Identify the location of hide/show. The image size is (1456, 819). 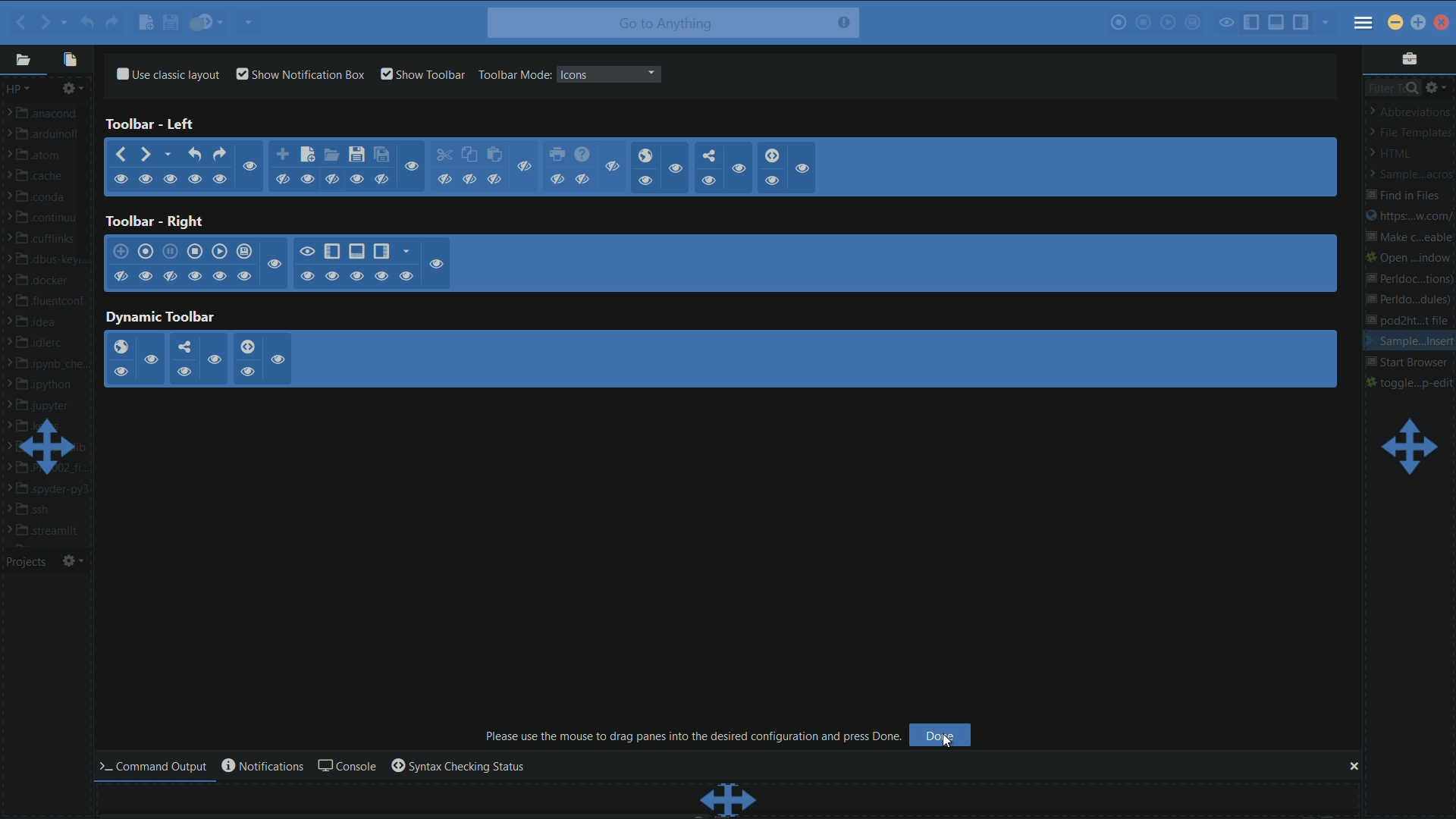
(438, 263).